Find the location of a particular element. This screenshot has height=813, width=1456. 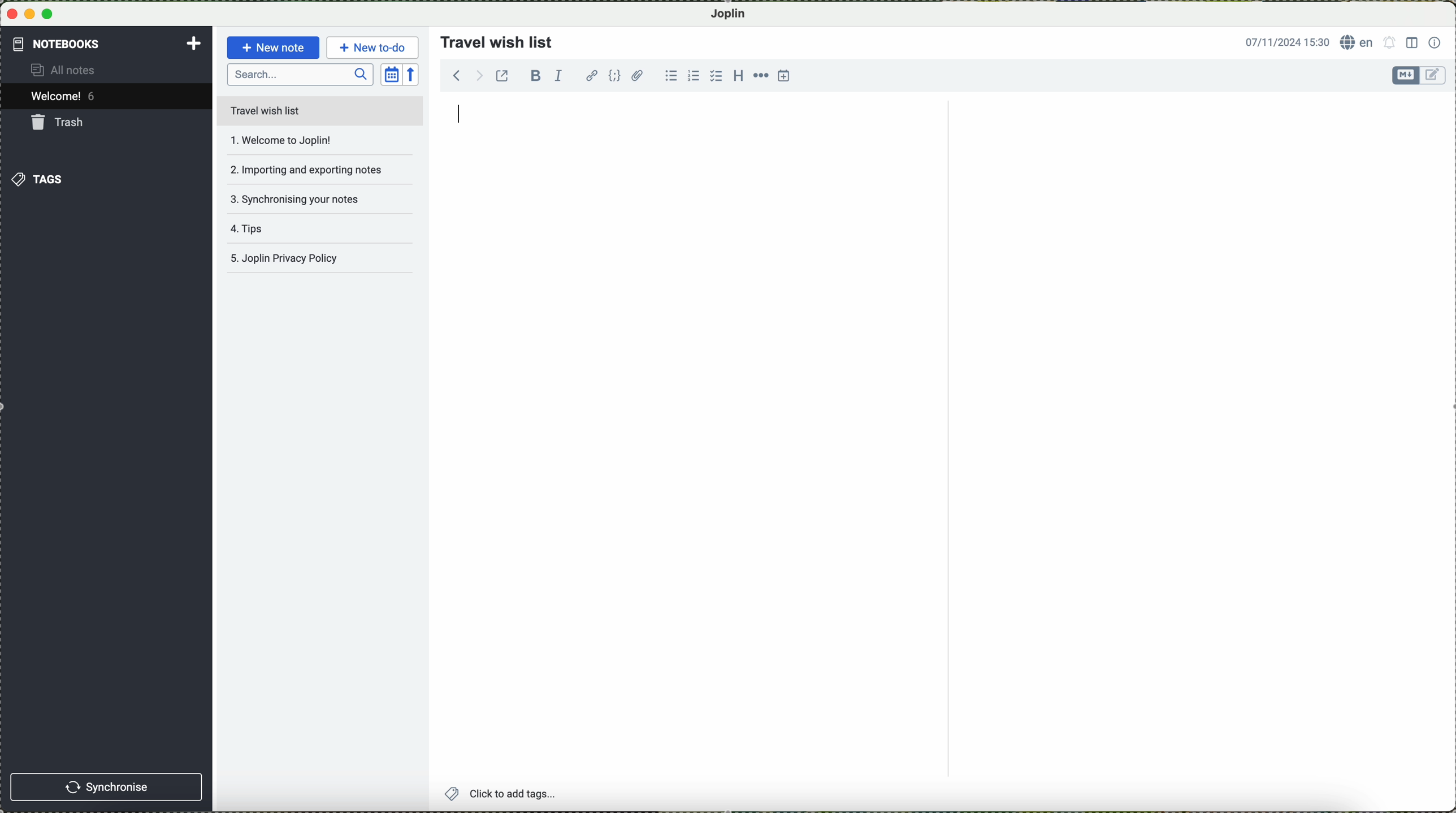

reverse sort order is located at coordinates (414, 73).